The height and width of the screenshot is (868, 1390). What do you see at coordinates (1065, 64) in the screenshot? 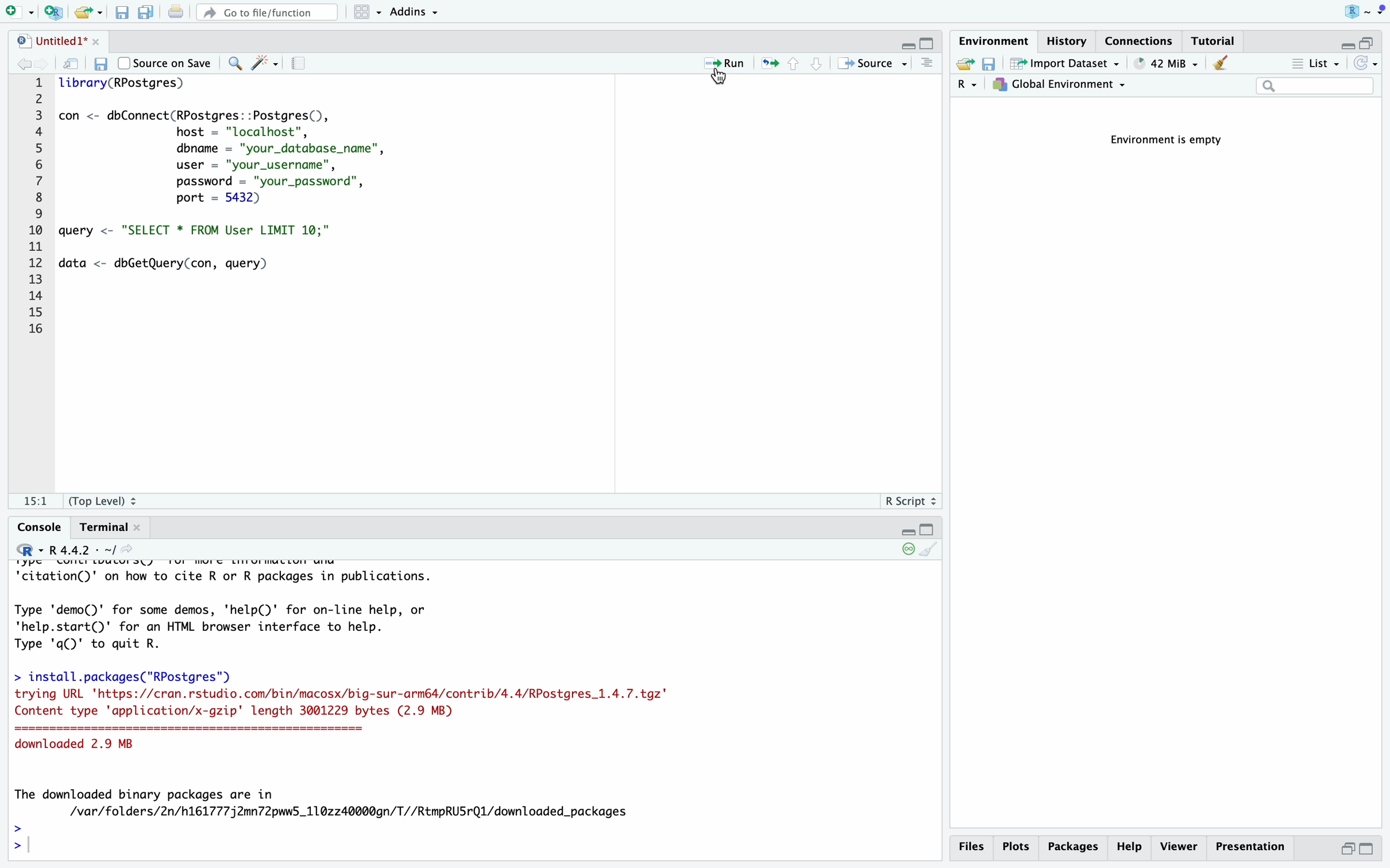
I see `import dataset` at bounding box center [1065, 64].